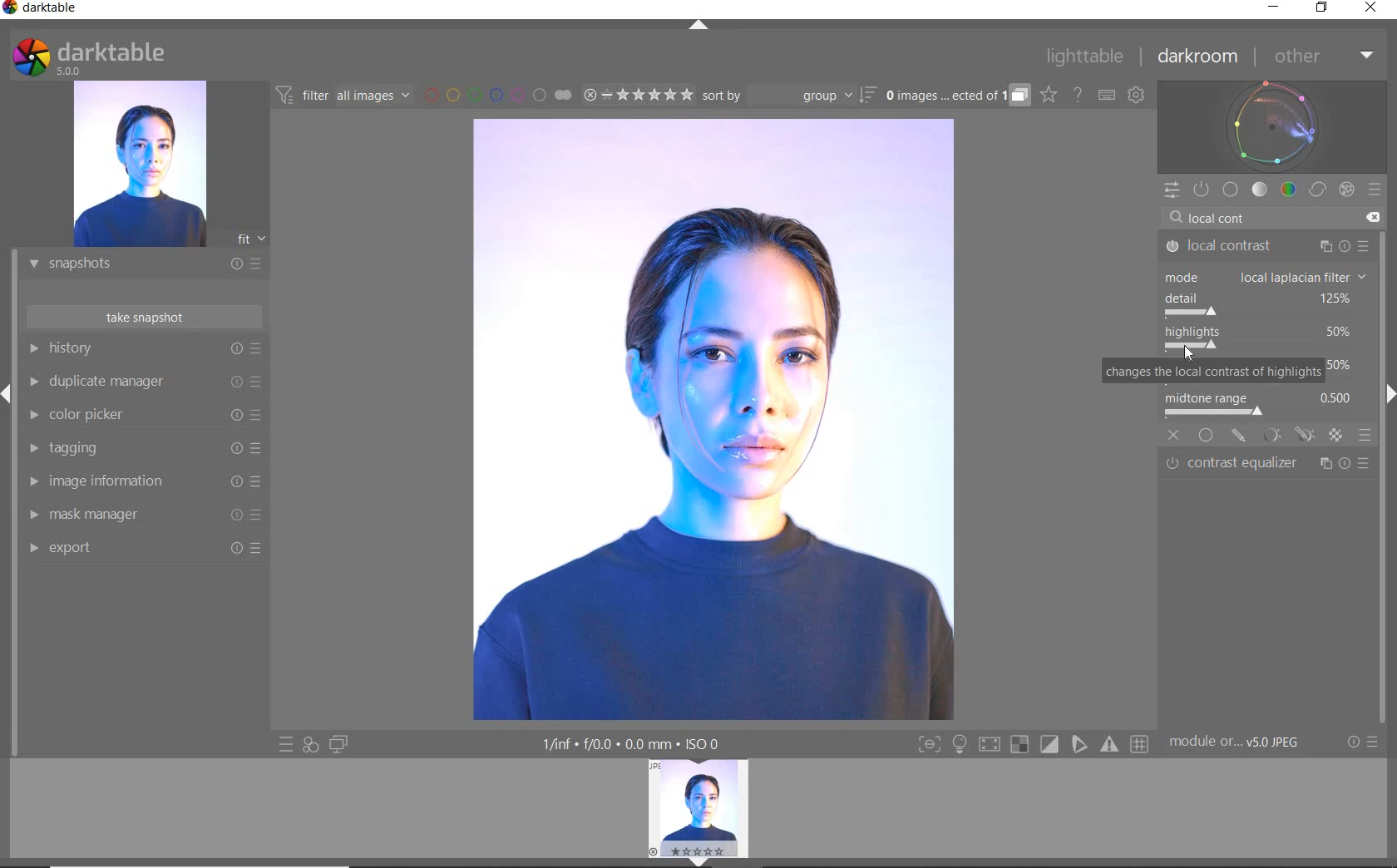  What do you see at coordinates (498, 94) in the screenshot?
I see `FILTER BY IMAGE COLOR LABEL` at bounding box center [498, 94].